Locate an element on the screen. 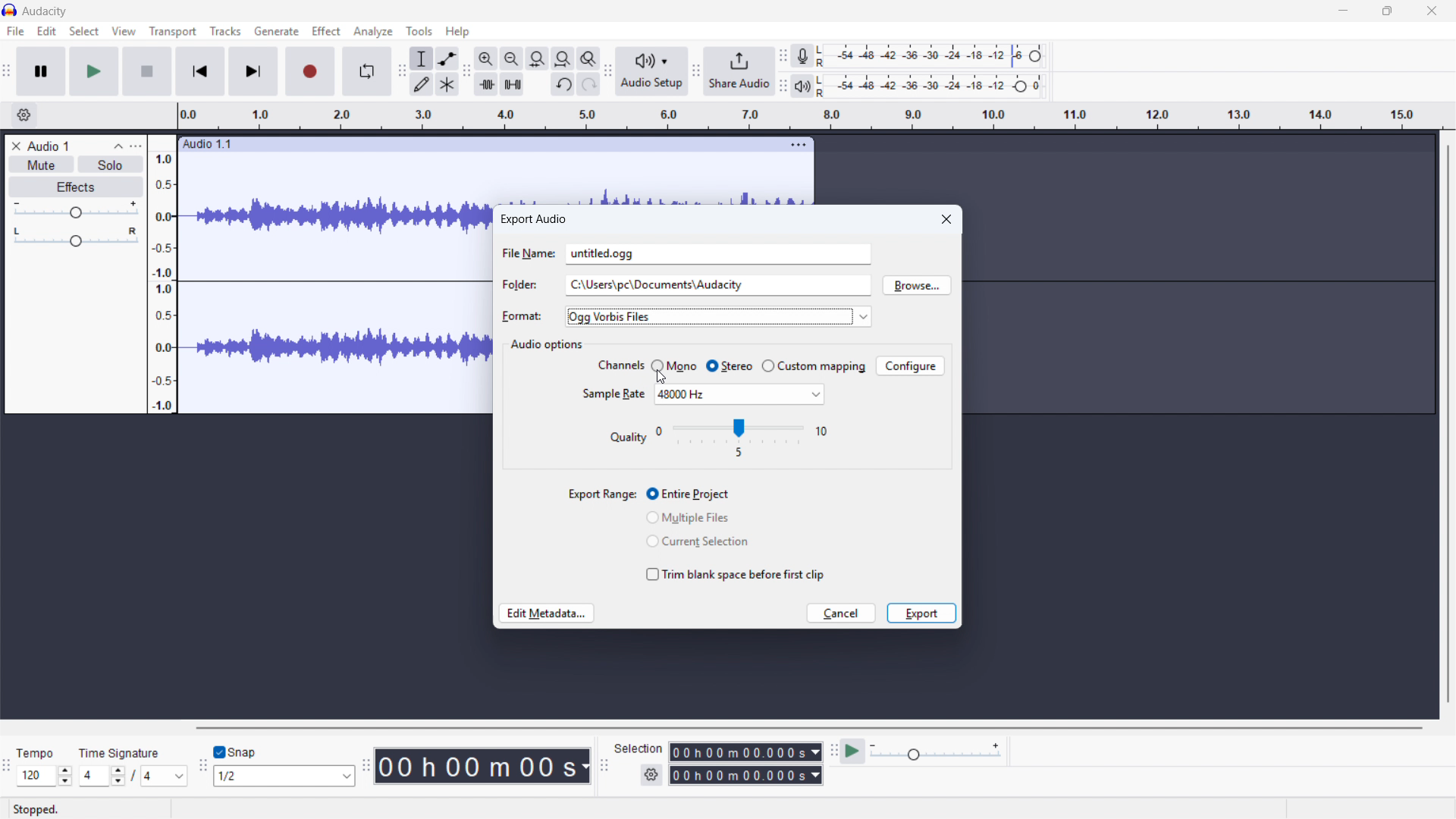  Edit toolbar  is located at coordinates (466, 72).